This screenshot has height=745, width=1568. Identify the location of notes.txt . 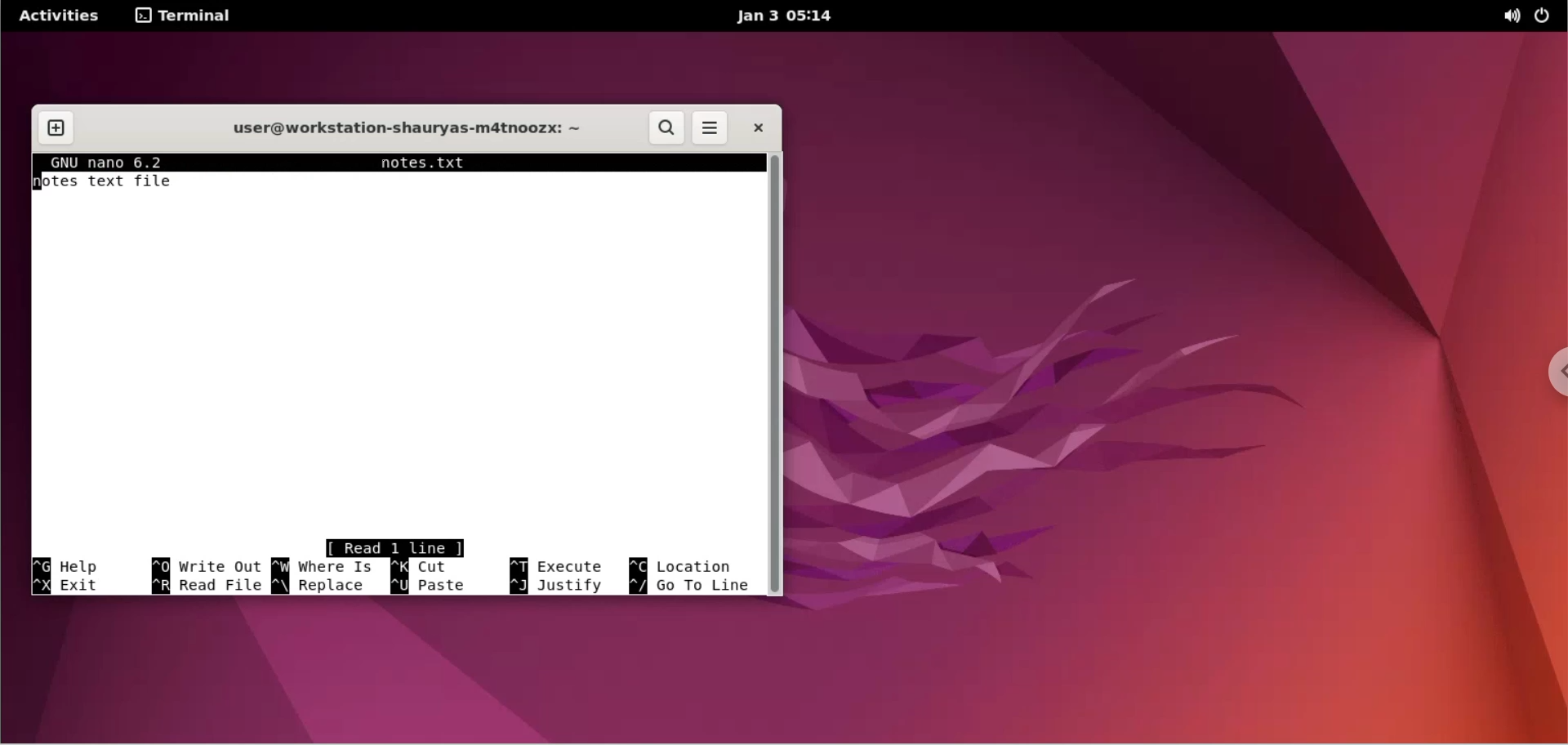
(429, 164).